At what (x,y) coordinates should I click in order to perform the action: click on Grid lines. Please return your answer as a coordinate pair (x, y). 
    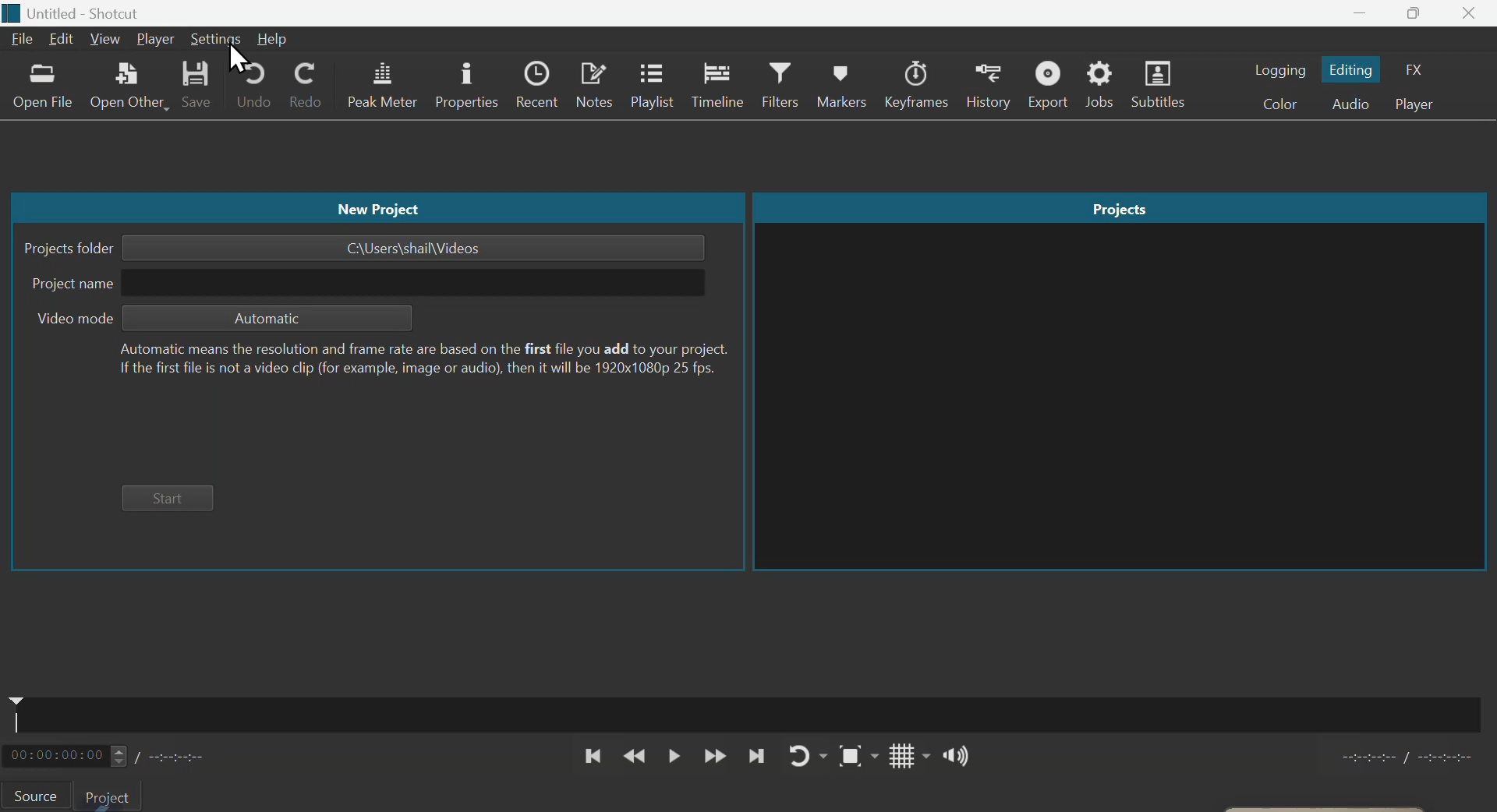
    Looking at the image, I should click on (894, 757).